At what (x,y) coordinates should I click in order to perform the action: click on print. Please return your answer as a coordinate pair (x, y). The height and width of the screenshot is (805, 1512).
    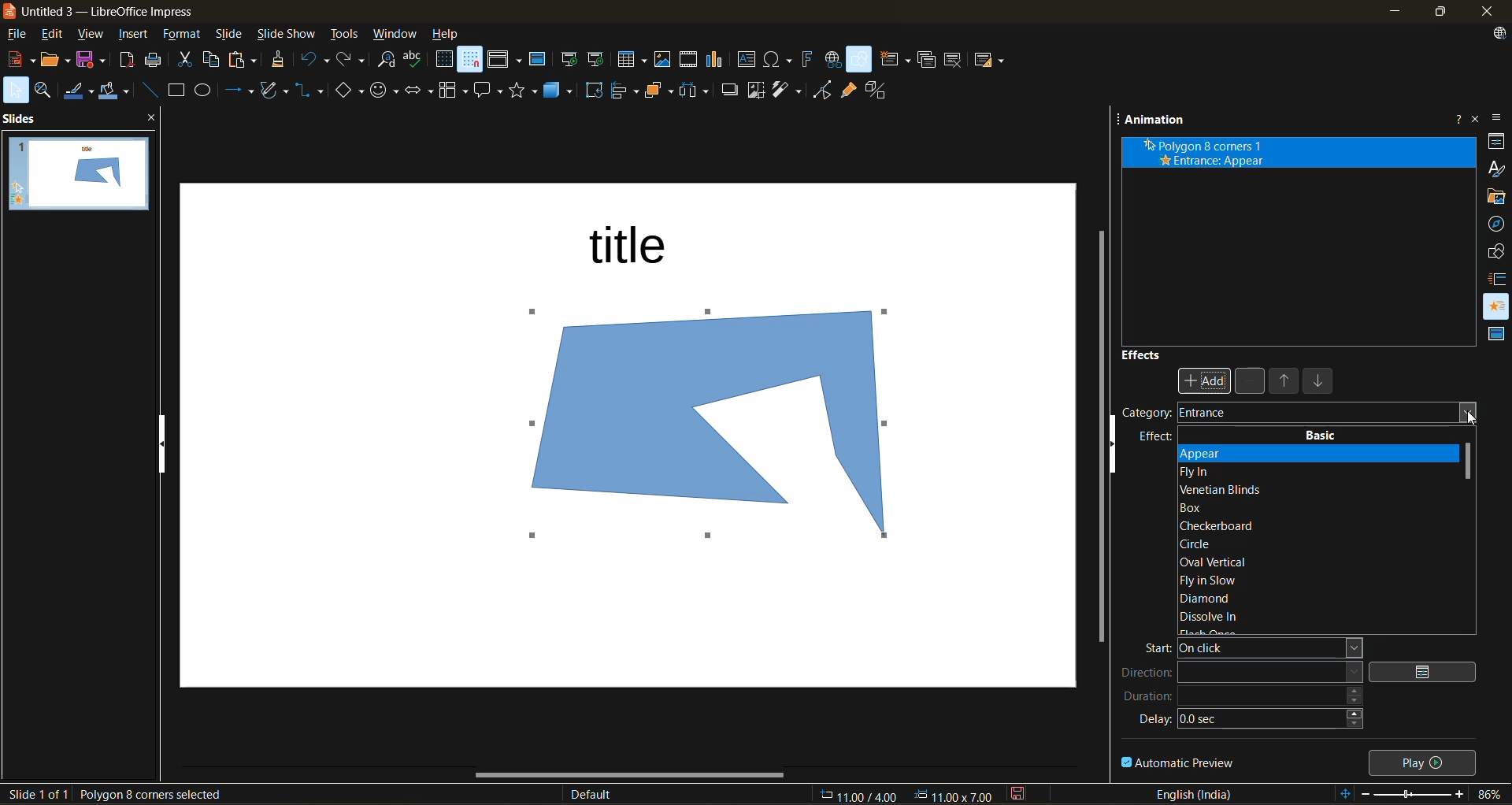
    Looking at the image, I should click on (158, 61).